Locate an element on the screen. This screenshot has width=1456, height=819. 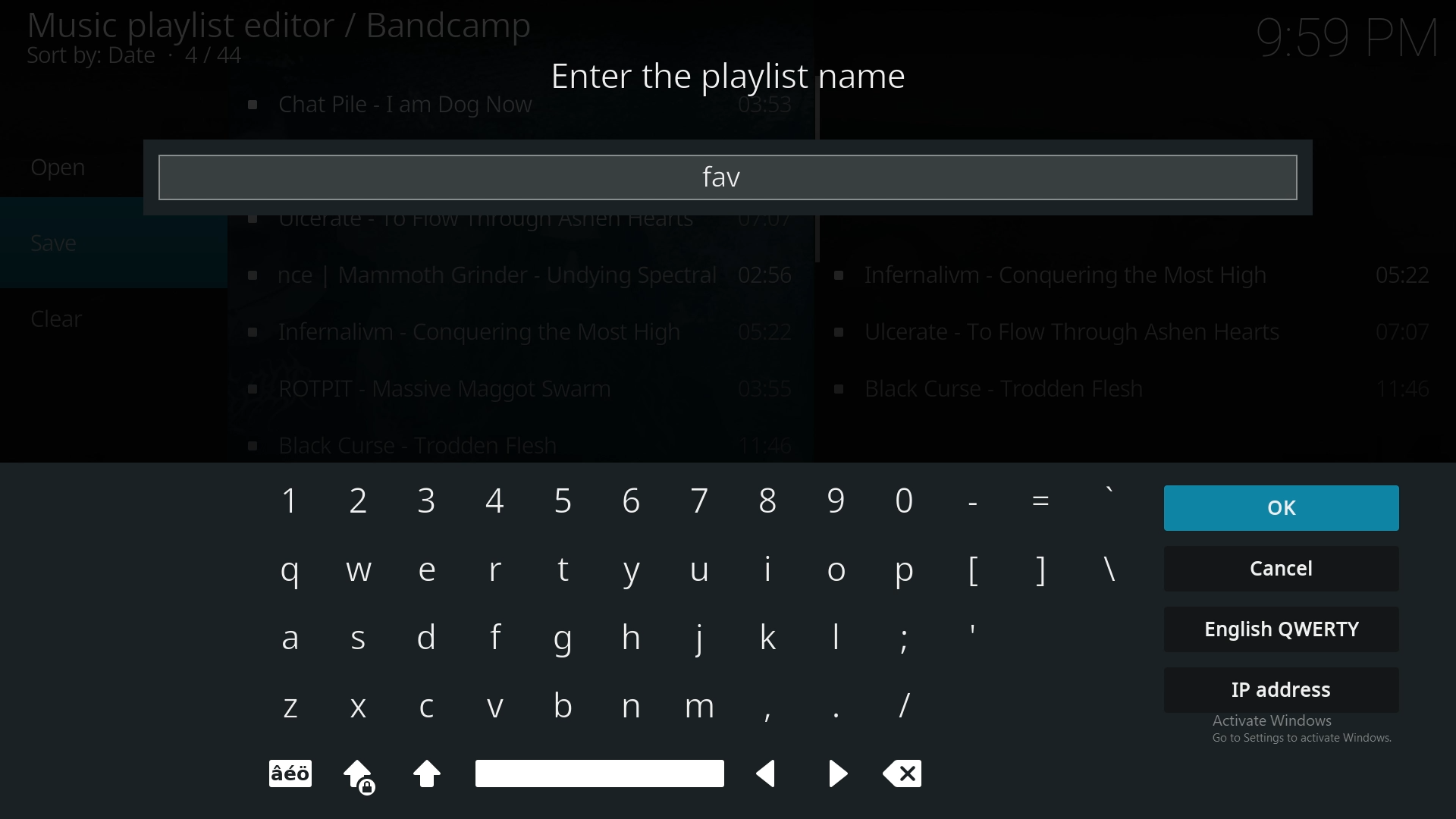
keyboard input is located at coordinates (289, 712).